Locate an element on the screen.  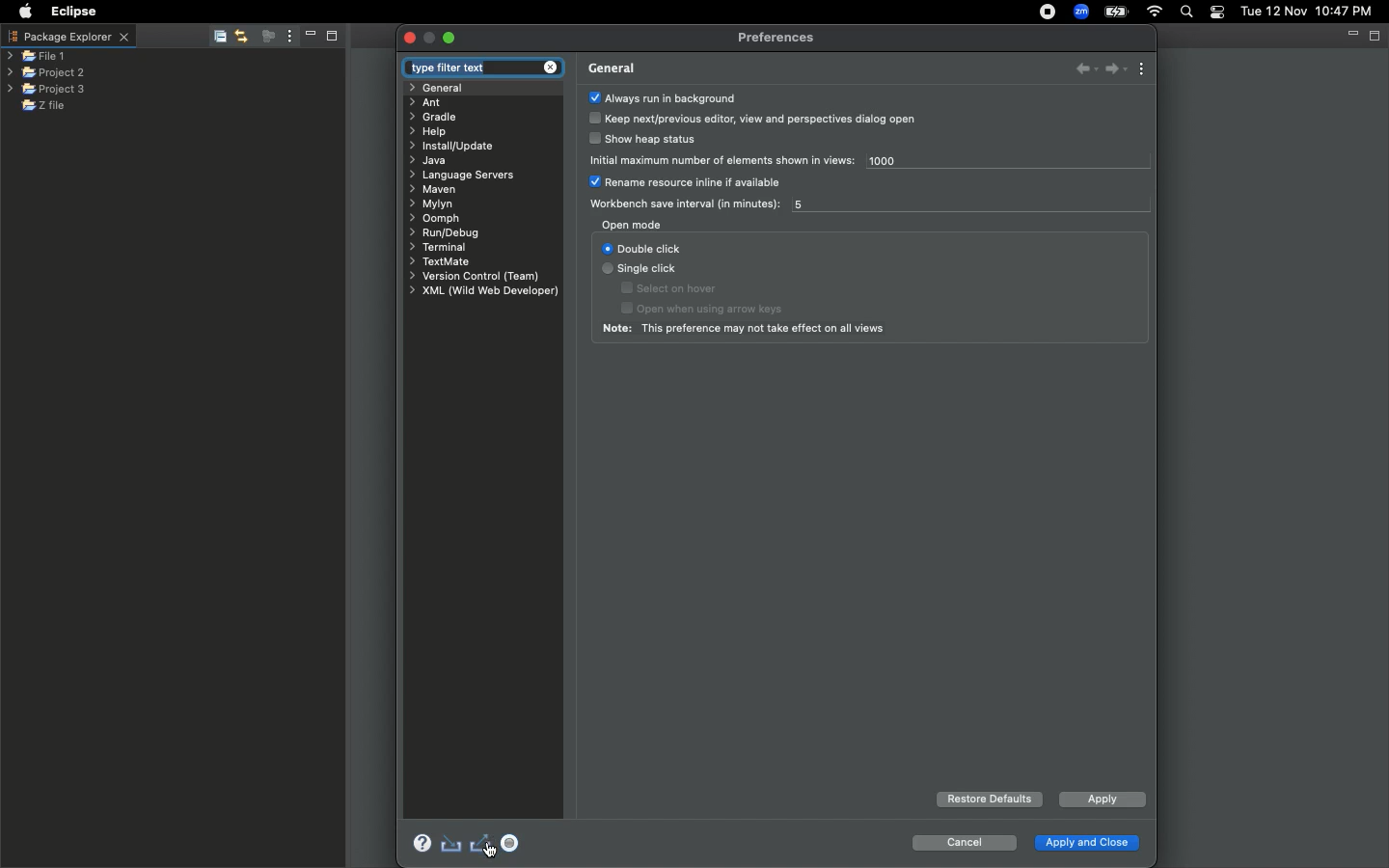
Always run in background is located at coordinates (663, 97).